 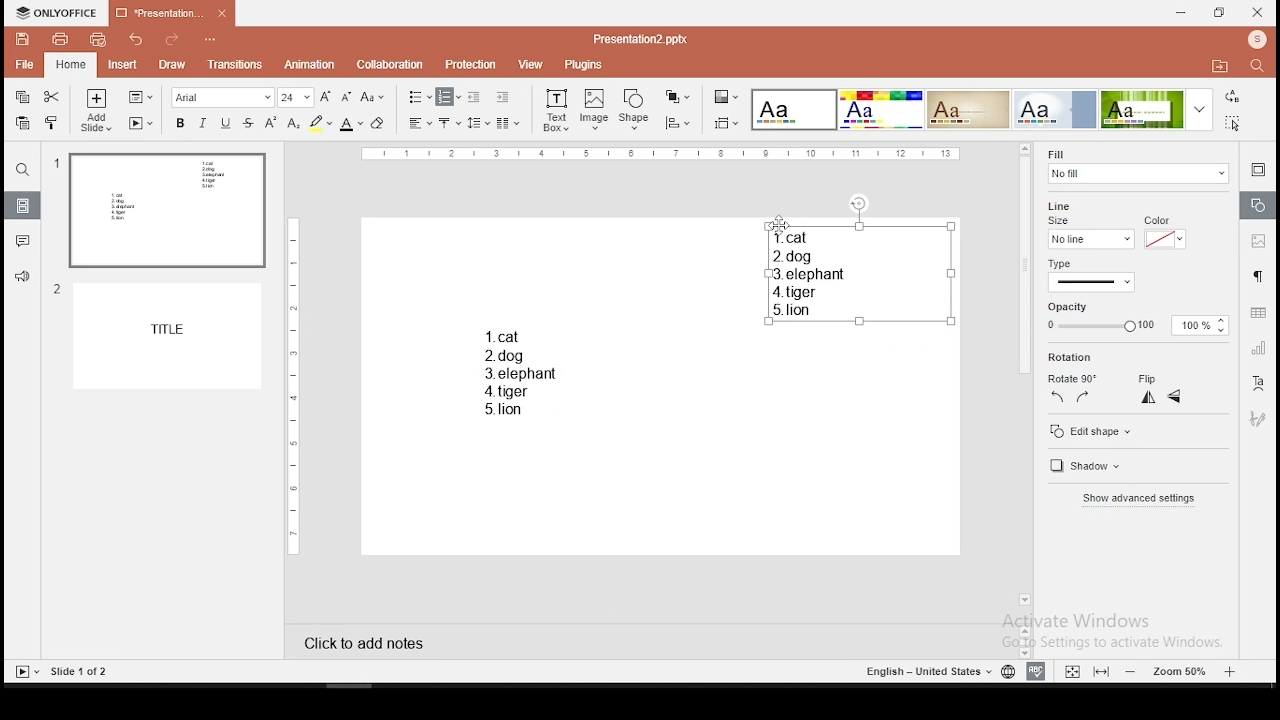 I want to click on home, so click(x=72, y=64).